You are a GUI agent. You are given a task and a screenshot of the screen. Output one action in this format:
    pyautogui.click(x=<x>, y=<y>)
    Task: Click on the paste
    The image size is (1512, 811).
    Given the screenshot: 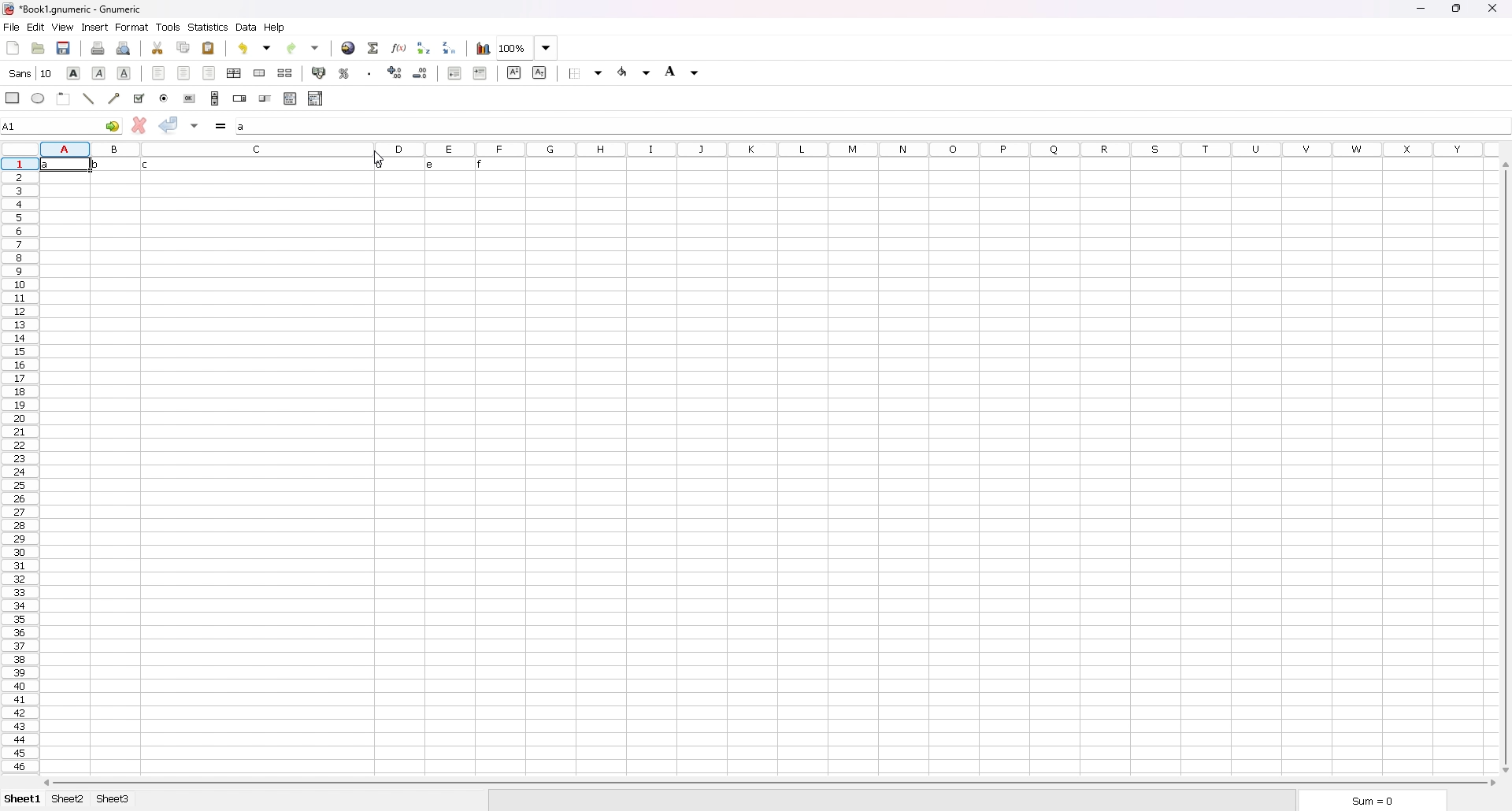 What is the action you would take?
    pyautogui.click(x=209, y=47)
    